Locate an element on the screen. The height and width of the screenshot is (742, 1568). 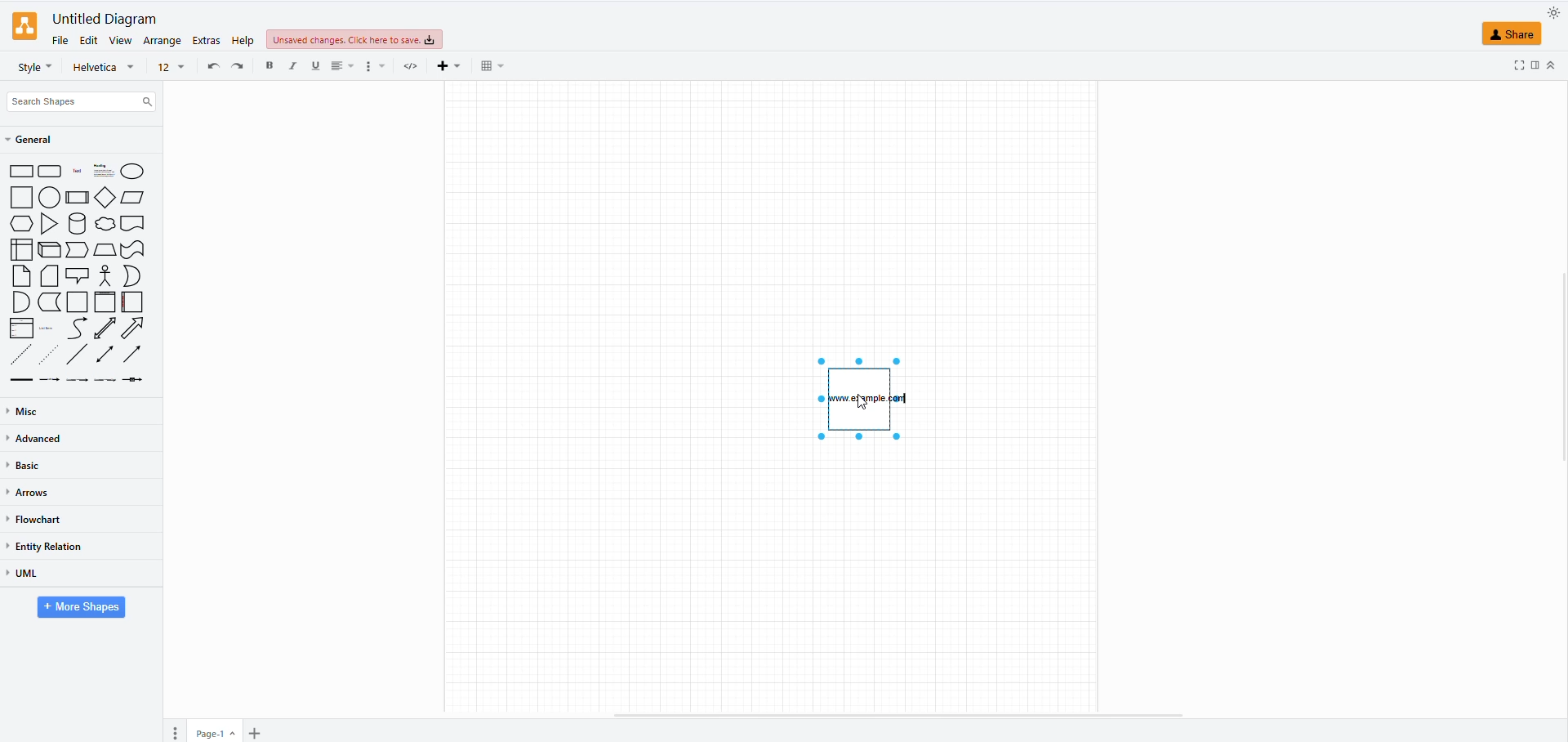
vertical container is located at coordinates (106, 302).